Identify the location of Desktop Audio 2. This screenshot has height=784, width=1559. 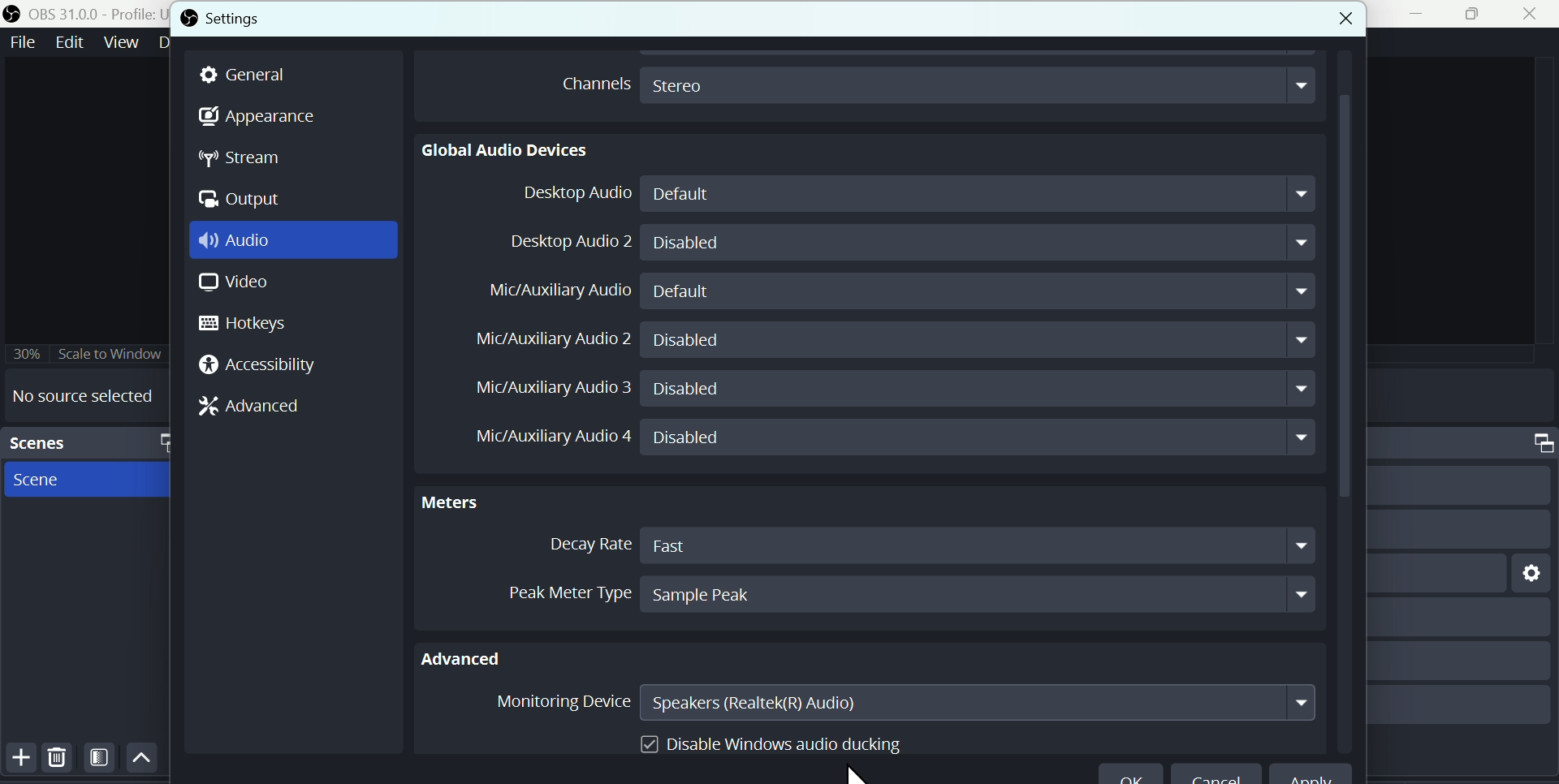
(567, 241).